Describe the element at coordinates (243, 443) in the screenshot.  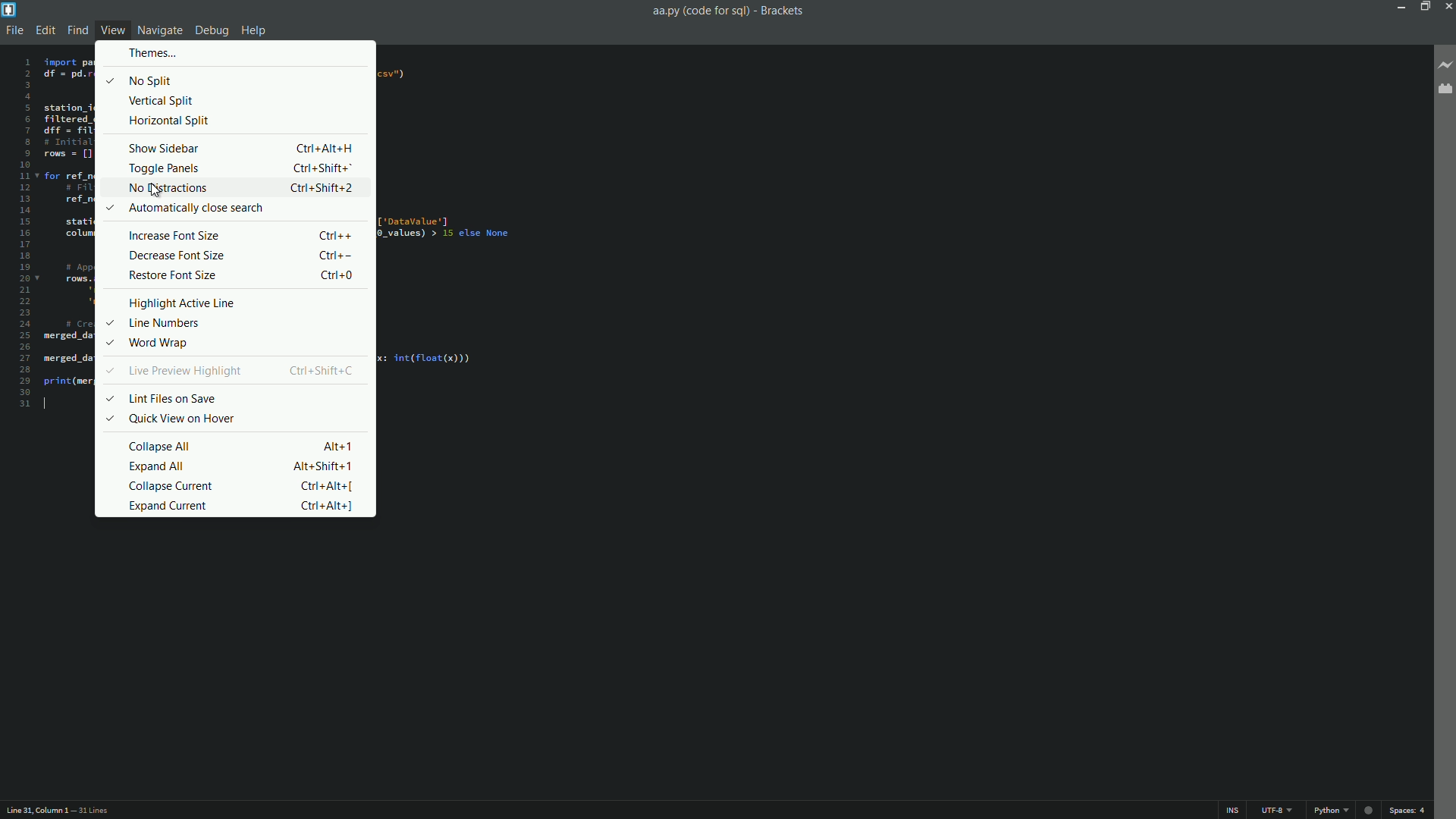
I see `collapse all Alt + 1` at that location.